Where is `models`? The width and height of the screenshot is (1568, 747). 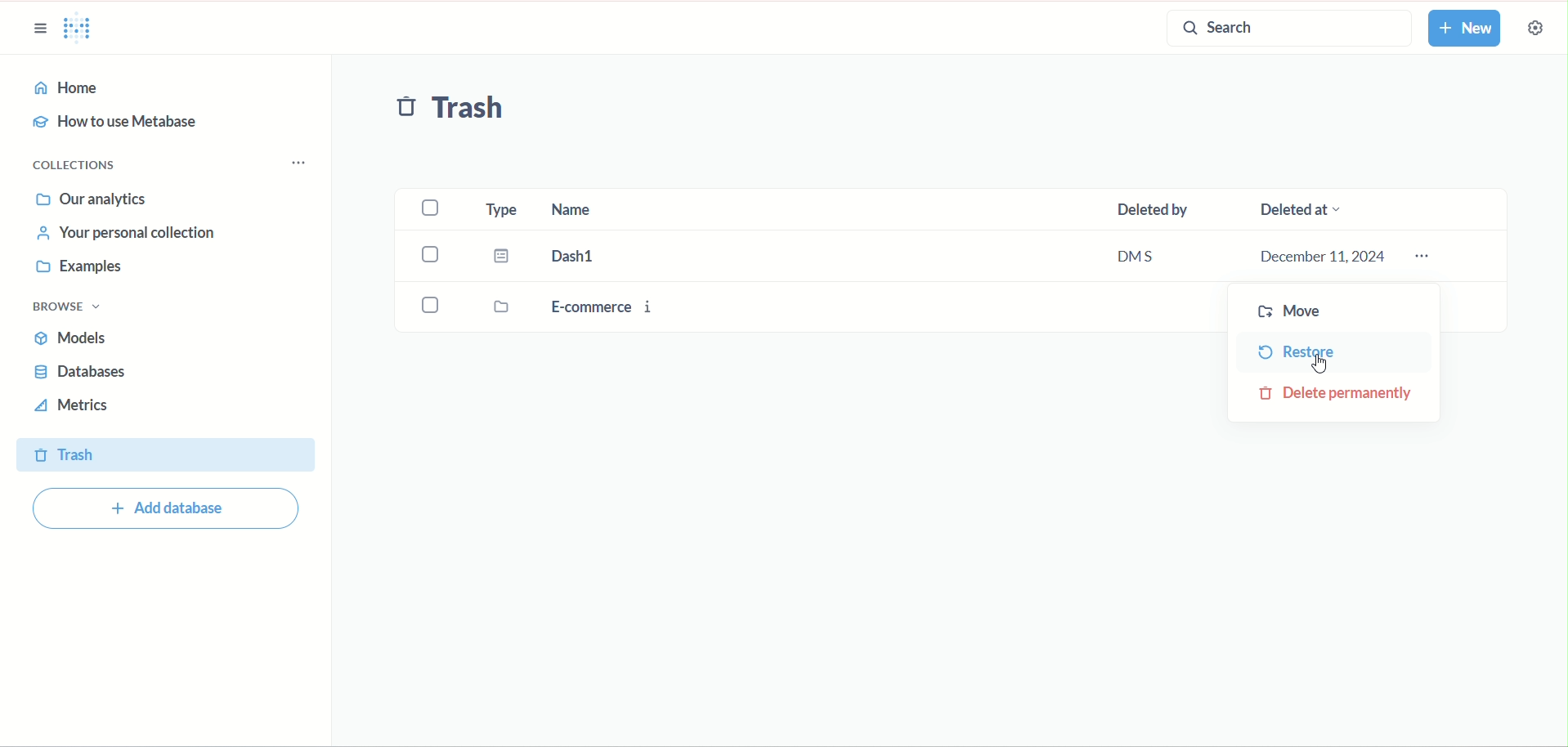
models is located at coordinates (75, 340).